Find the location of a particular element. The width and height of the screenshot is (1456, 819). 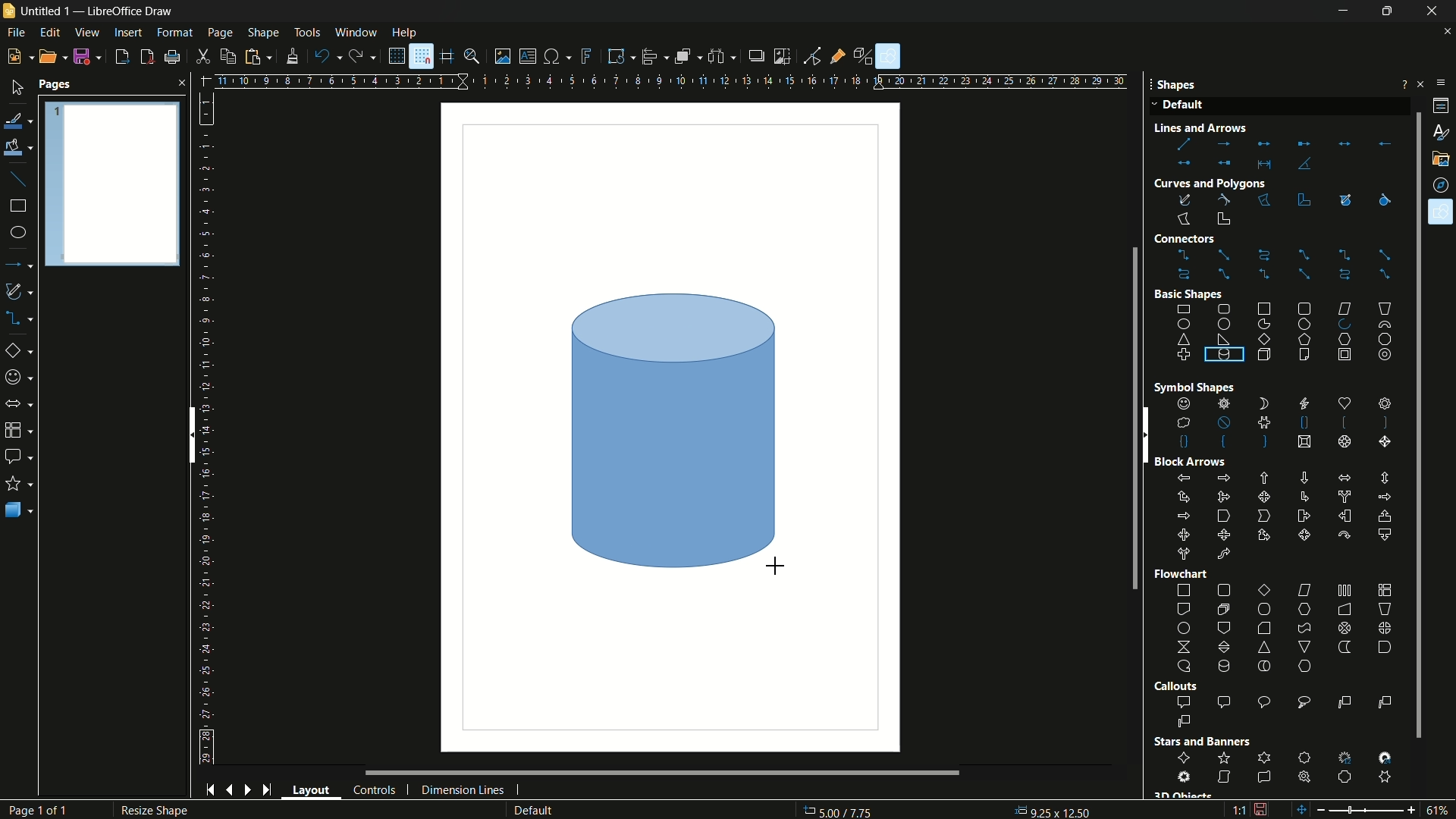

Flowchart is located at coordinates (1183, 574).